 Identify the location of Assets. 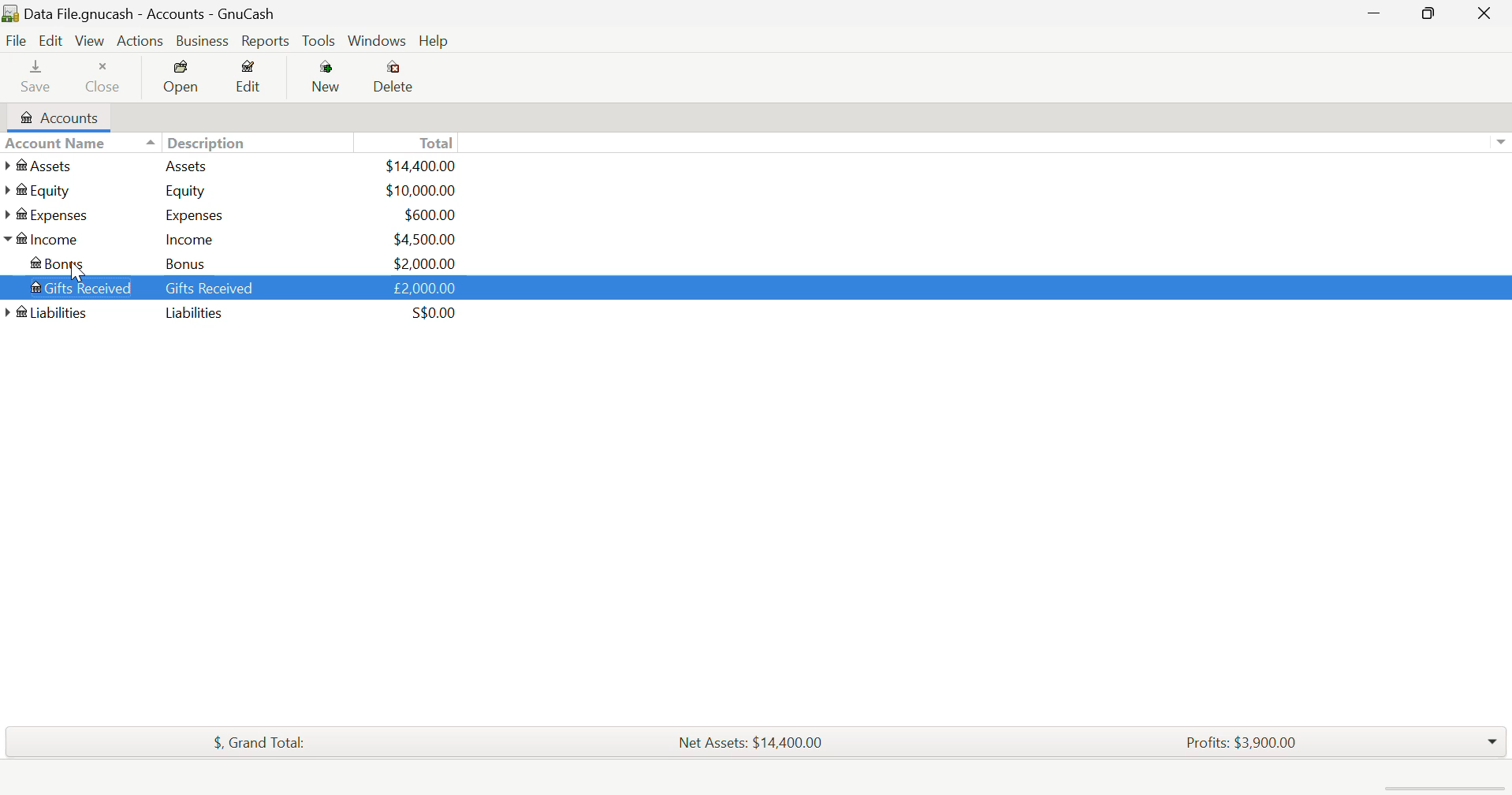
(43, 167).